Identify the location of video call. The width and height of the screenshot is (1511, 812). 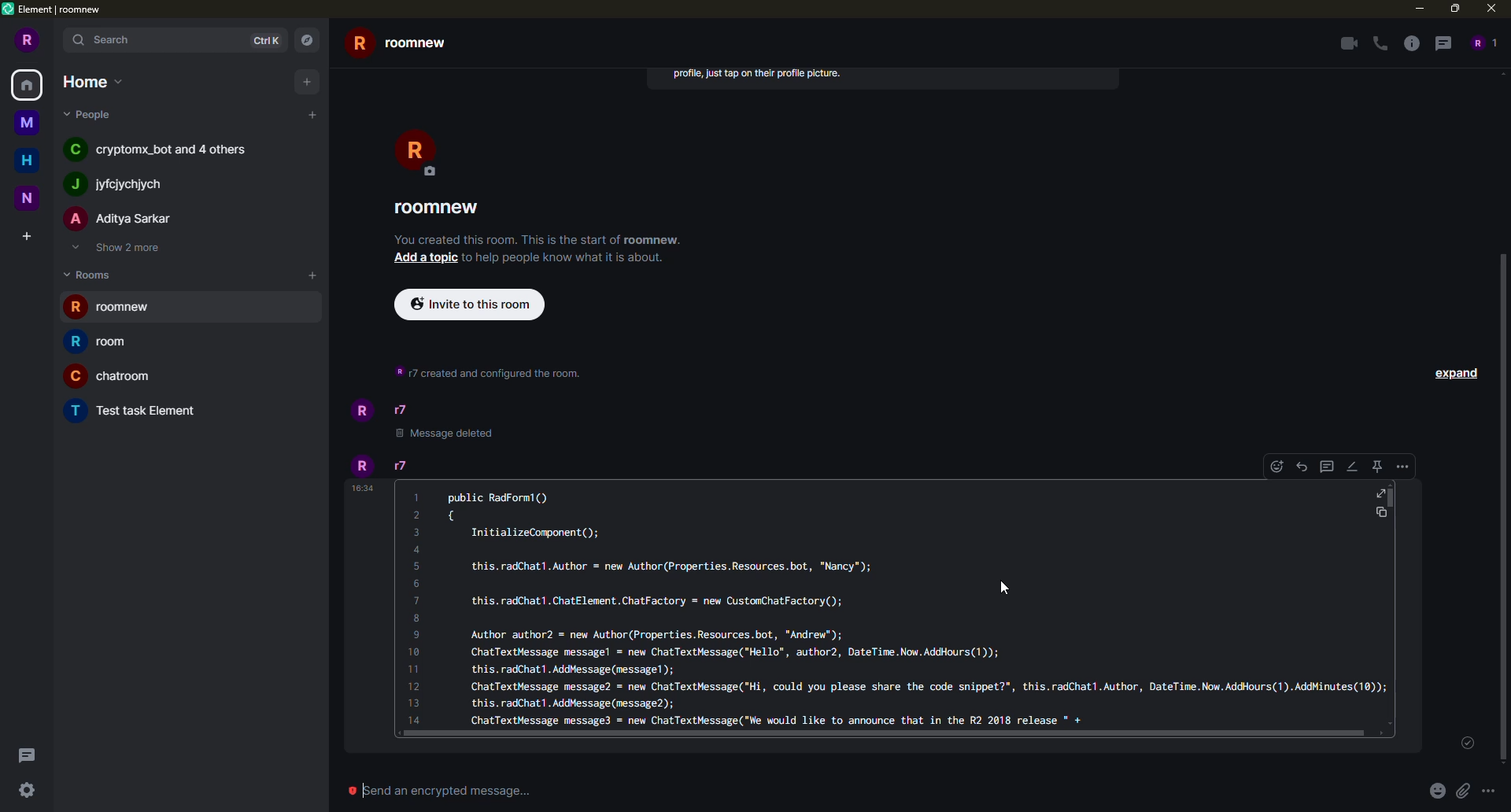
(1344, 43).